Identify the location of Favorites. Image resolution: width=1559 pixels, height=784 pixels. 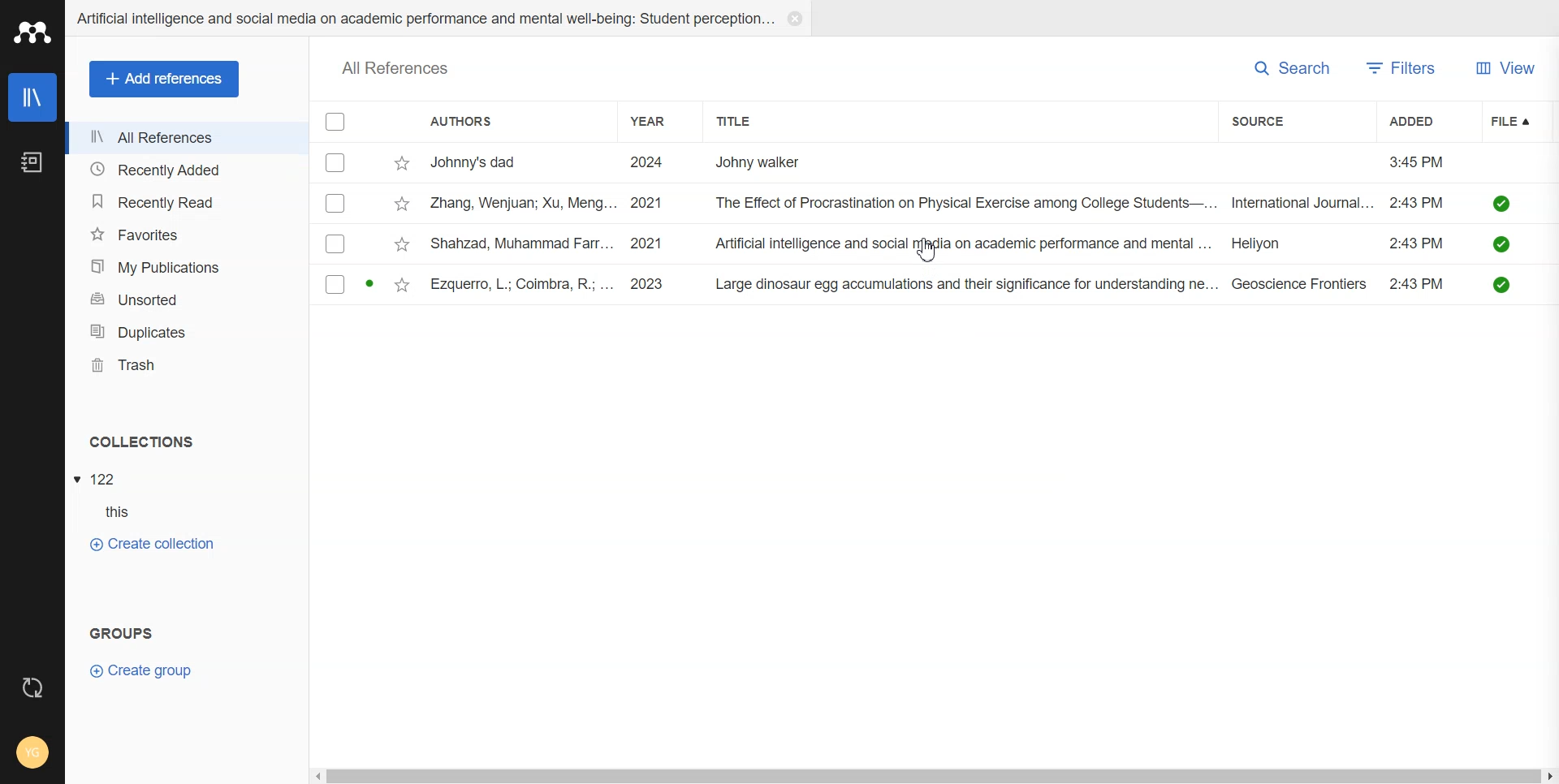
(186, 235).